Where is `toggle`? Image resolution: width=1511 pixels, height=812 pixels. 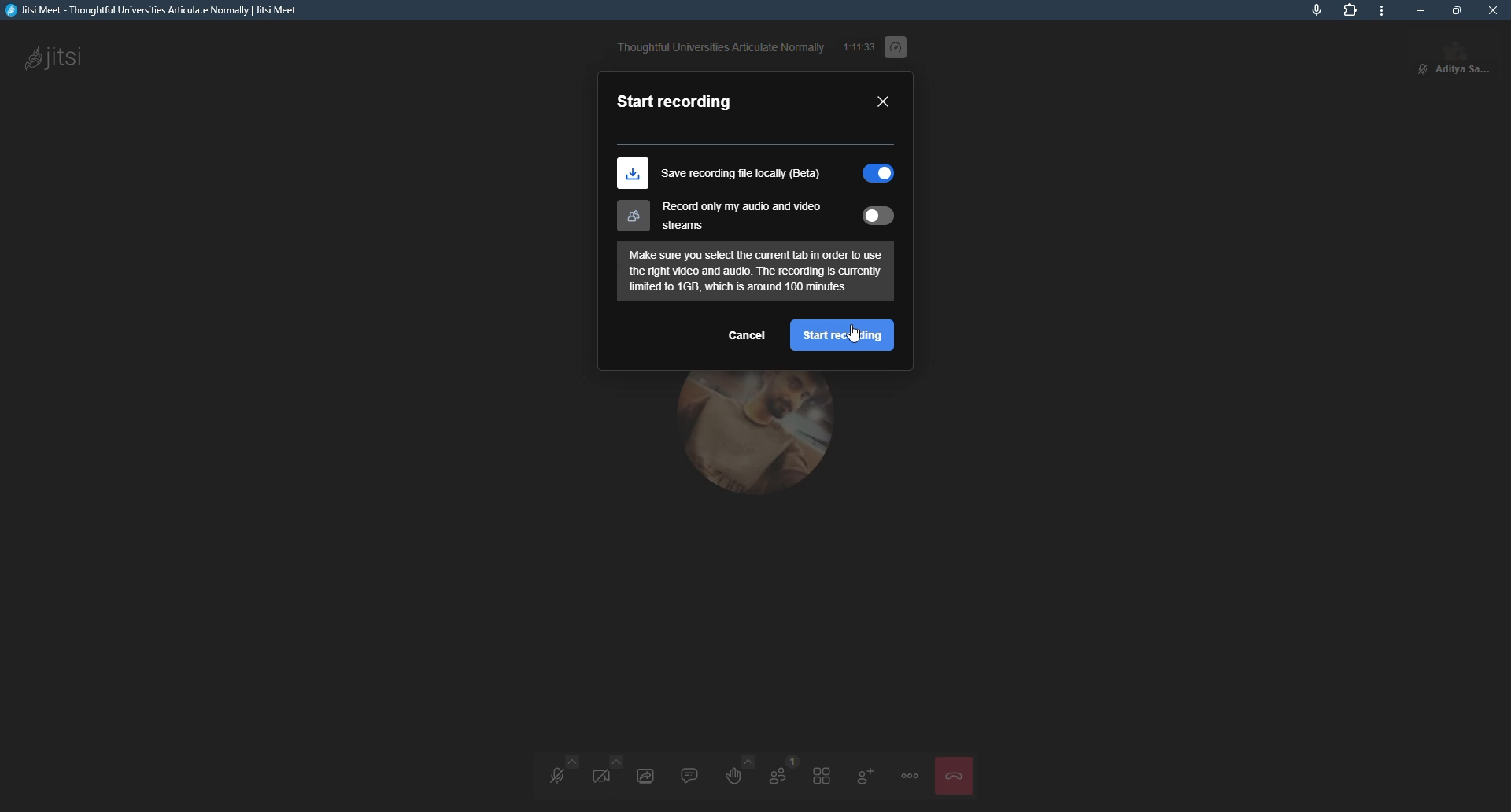
toggle is located at coordinates (877, 216).